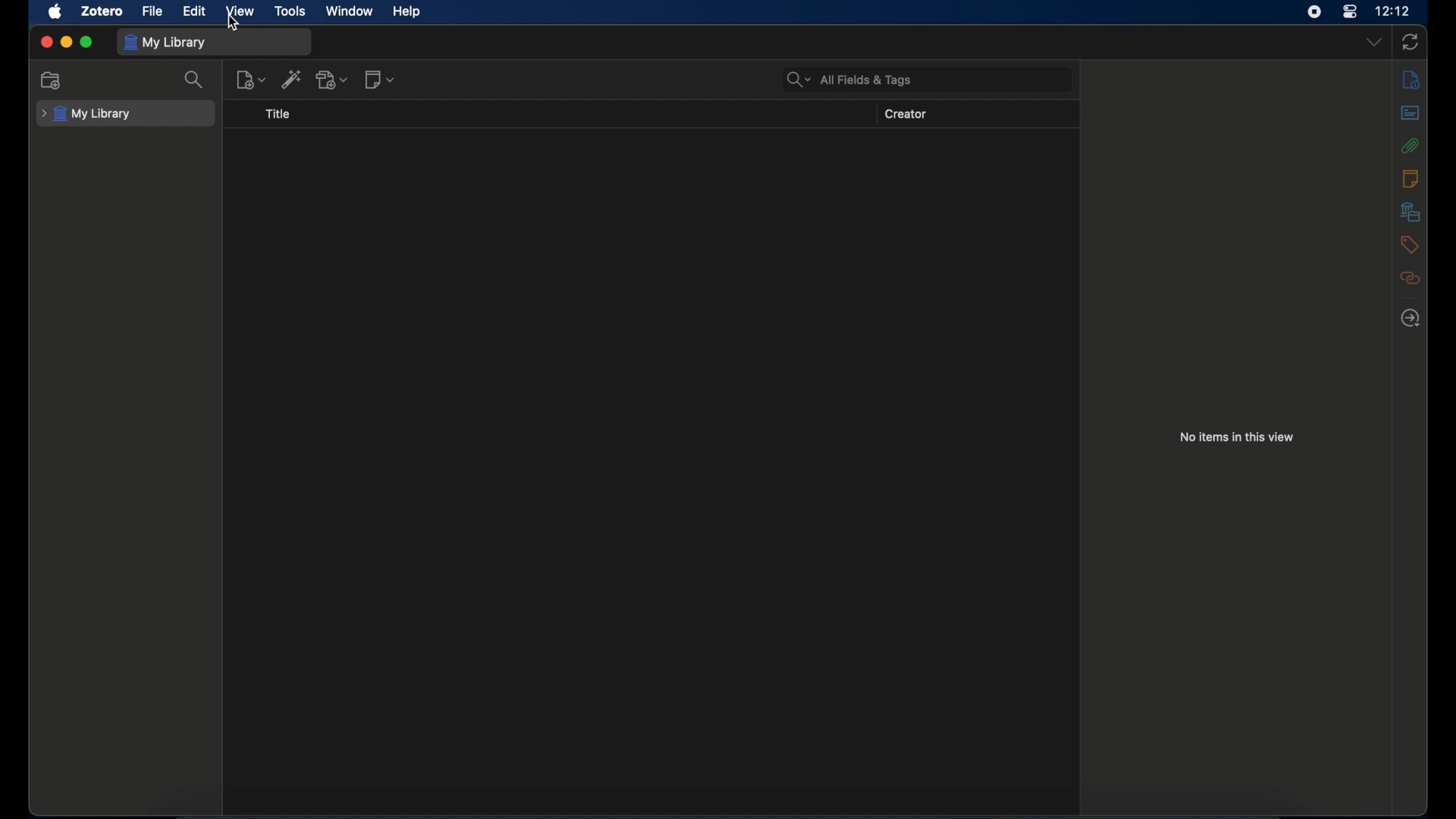 This screenshot has height=819, width=1456. I want to click on minimize, so click(67, 42).